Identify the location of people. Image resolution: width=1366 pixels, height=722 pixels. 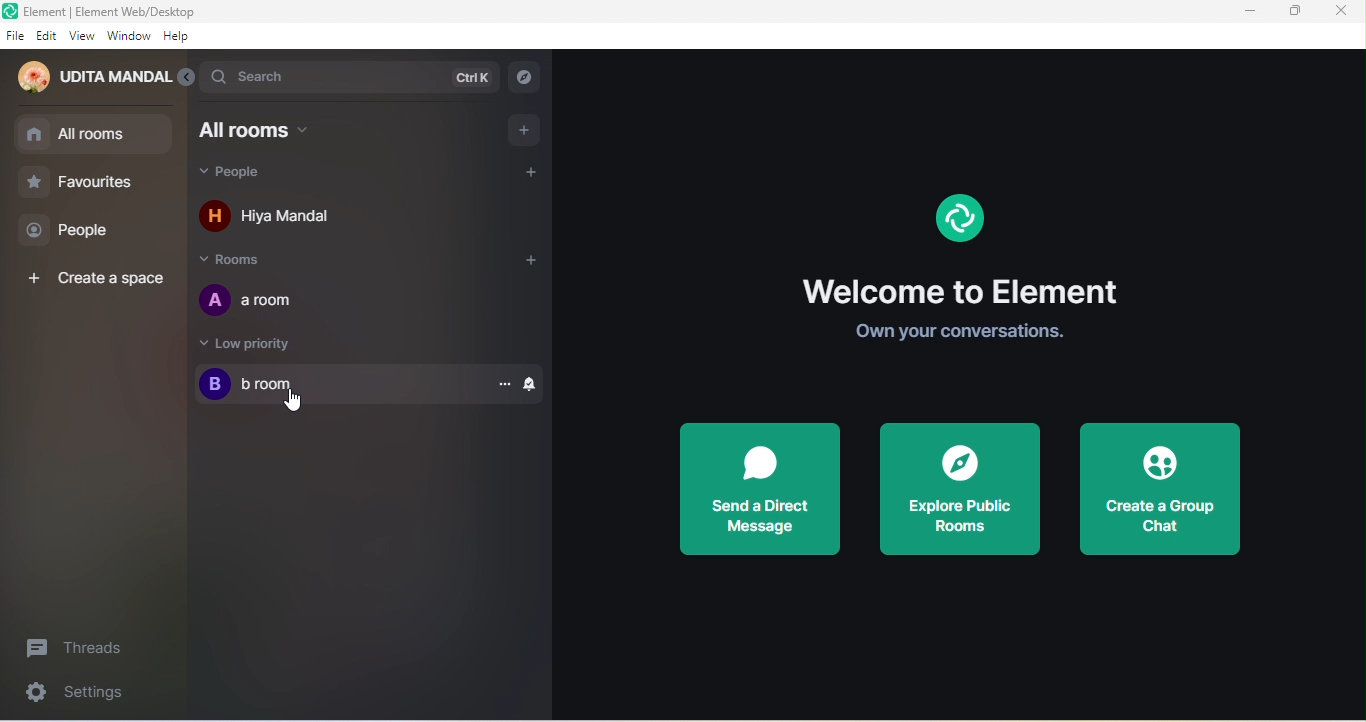
(254, 174).